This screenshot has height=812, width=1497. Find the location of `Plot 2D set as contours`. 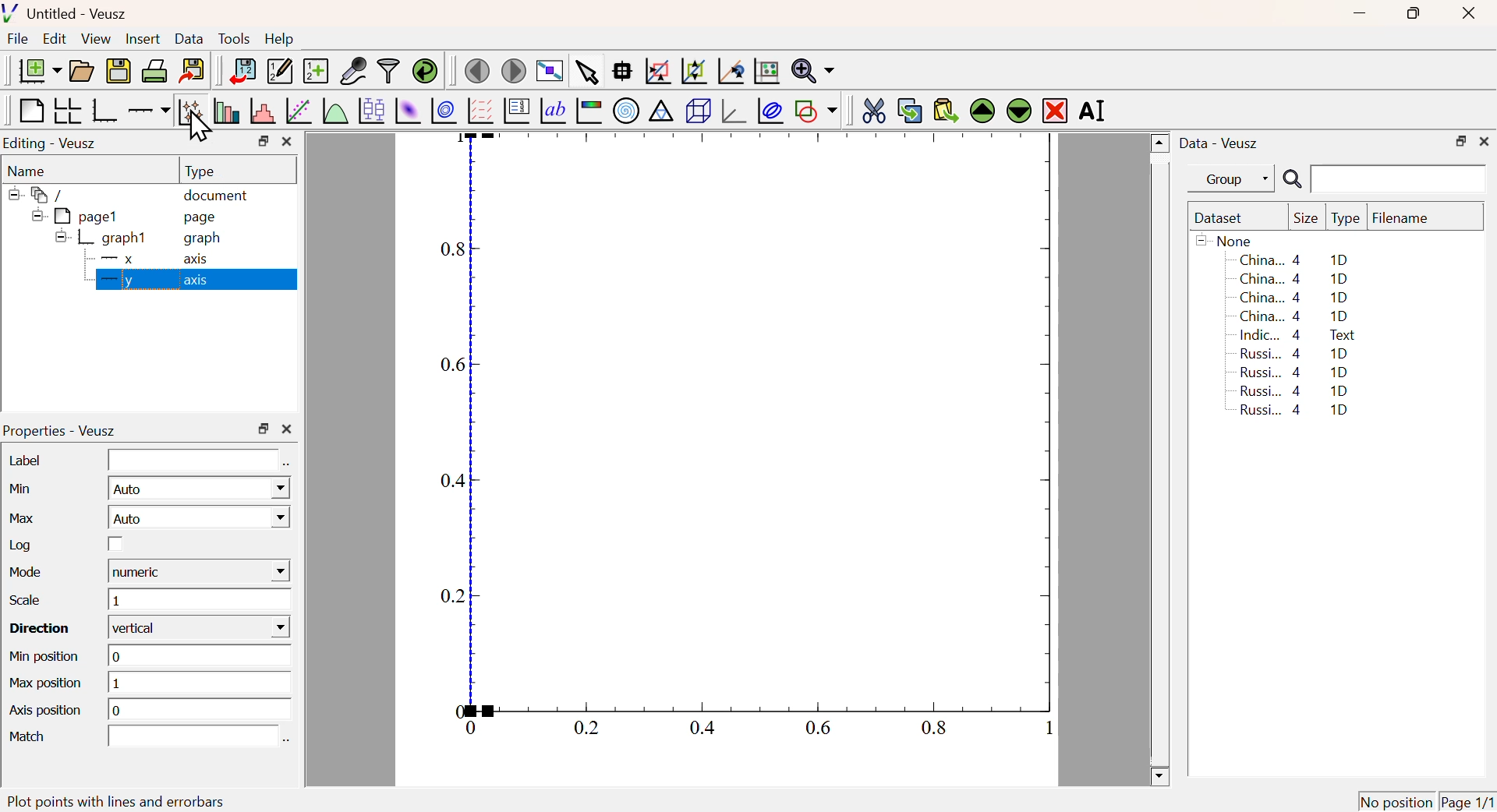

Plot 2D set as contours is located at coordinates (444, 111).